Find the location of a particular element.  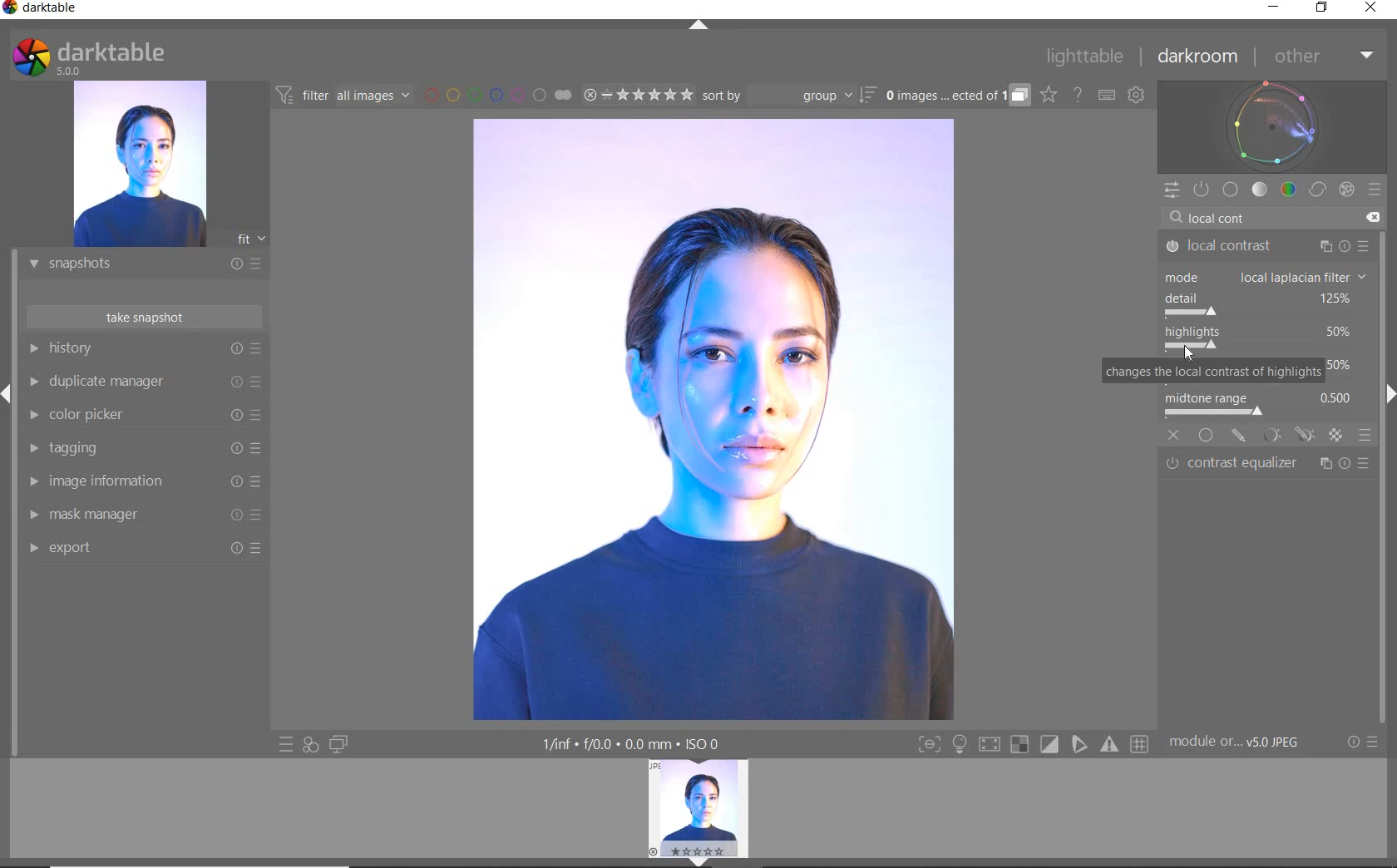

SHOW ONLY ACTIVE MODULES is located at coordinates (1202, 190).